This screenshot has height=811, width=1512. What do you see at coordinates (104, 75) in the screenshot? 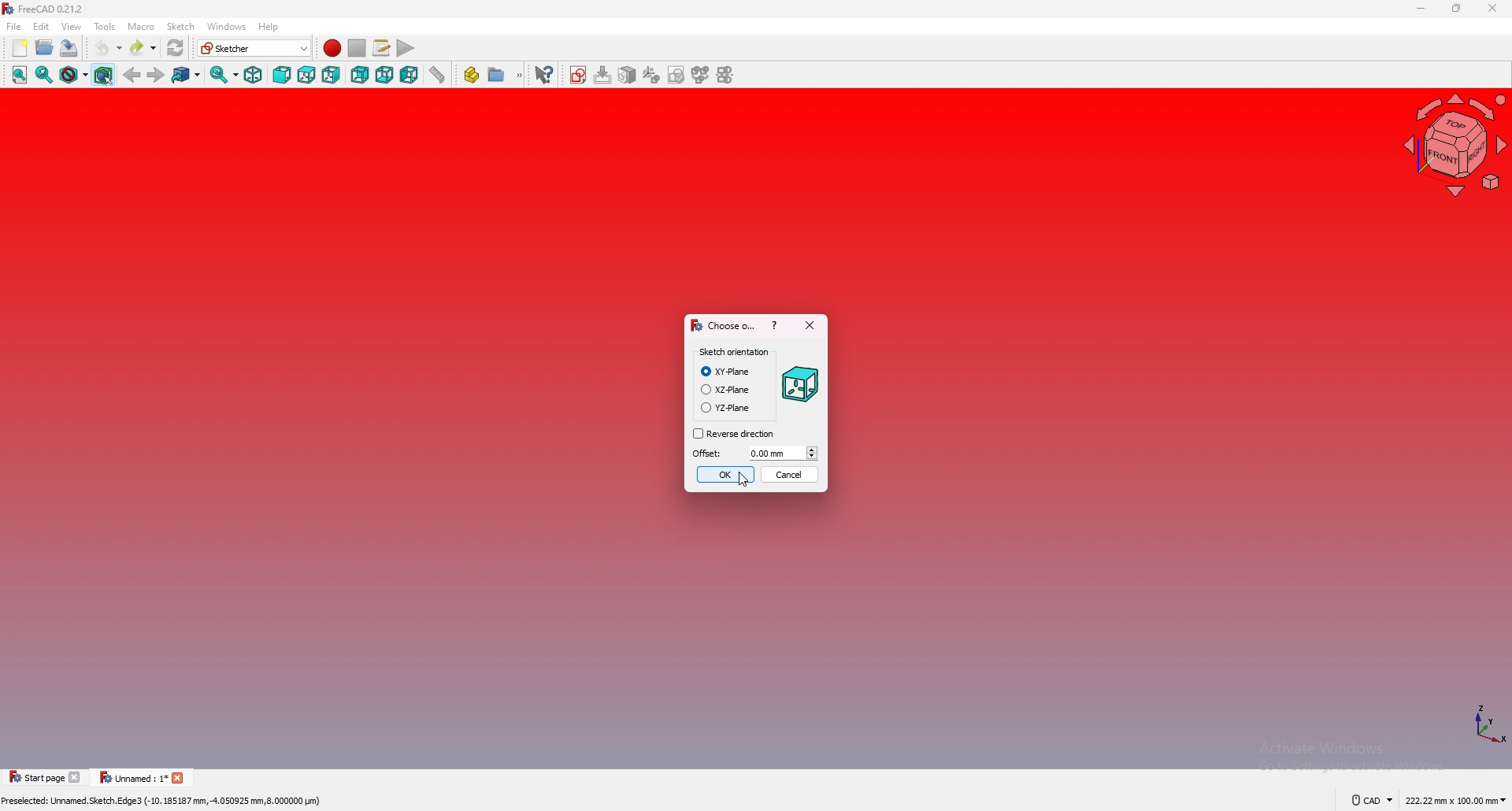
I see `bounding box` at bounding box center [104, 75].